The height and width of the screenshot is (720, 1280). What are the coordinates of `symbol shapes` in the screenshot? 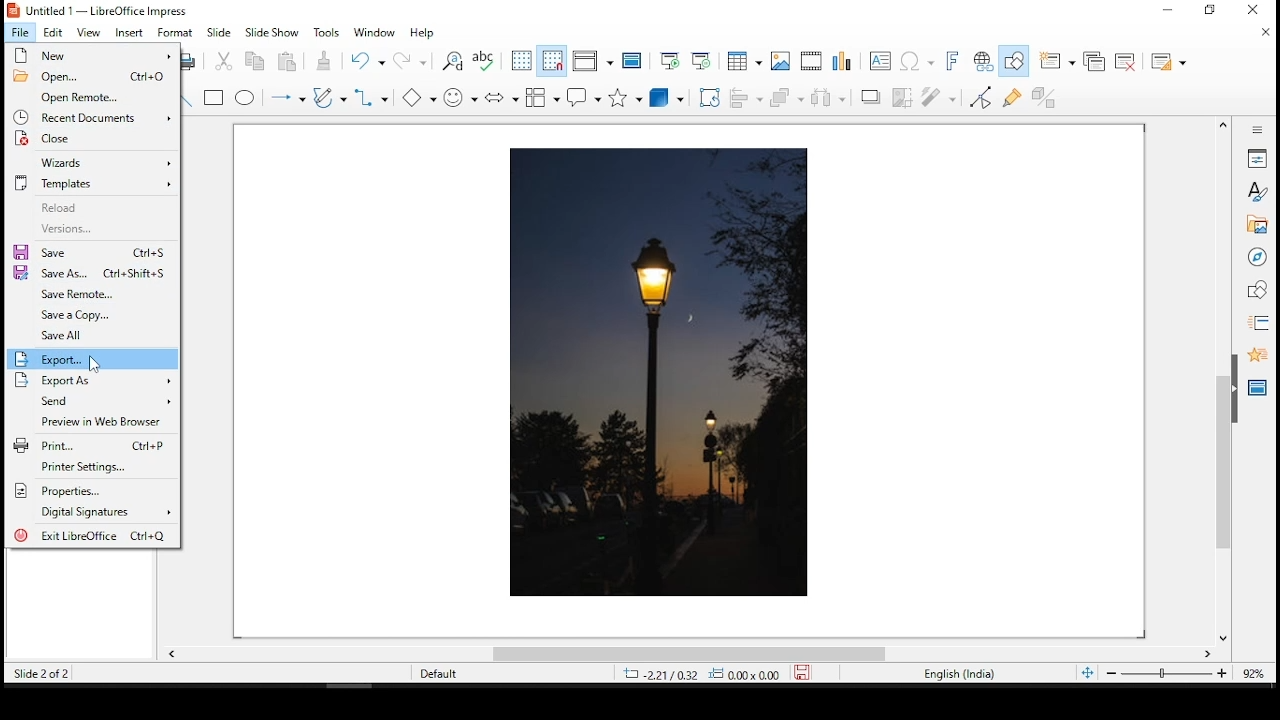 It's located at (459, 96).